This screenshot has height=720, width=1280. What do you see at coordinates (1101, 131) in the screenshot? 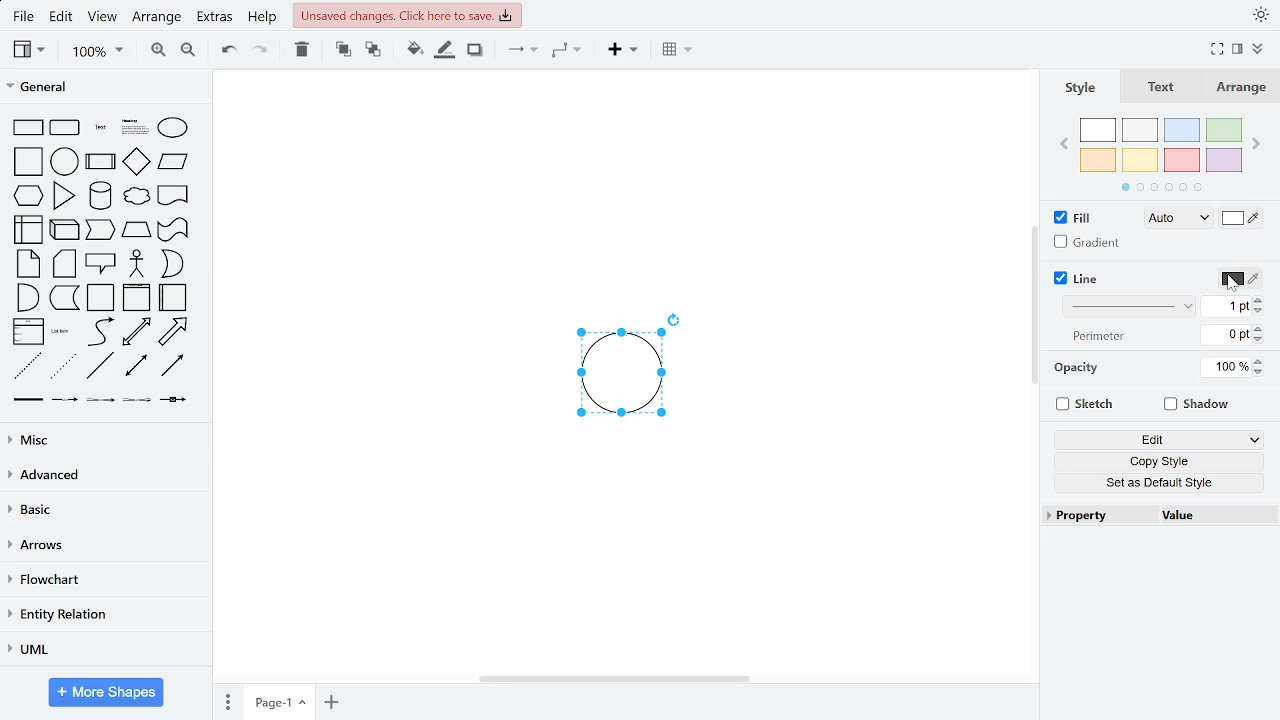
I see `white` at bounding box center [1101, 131].